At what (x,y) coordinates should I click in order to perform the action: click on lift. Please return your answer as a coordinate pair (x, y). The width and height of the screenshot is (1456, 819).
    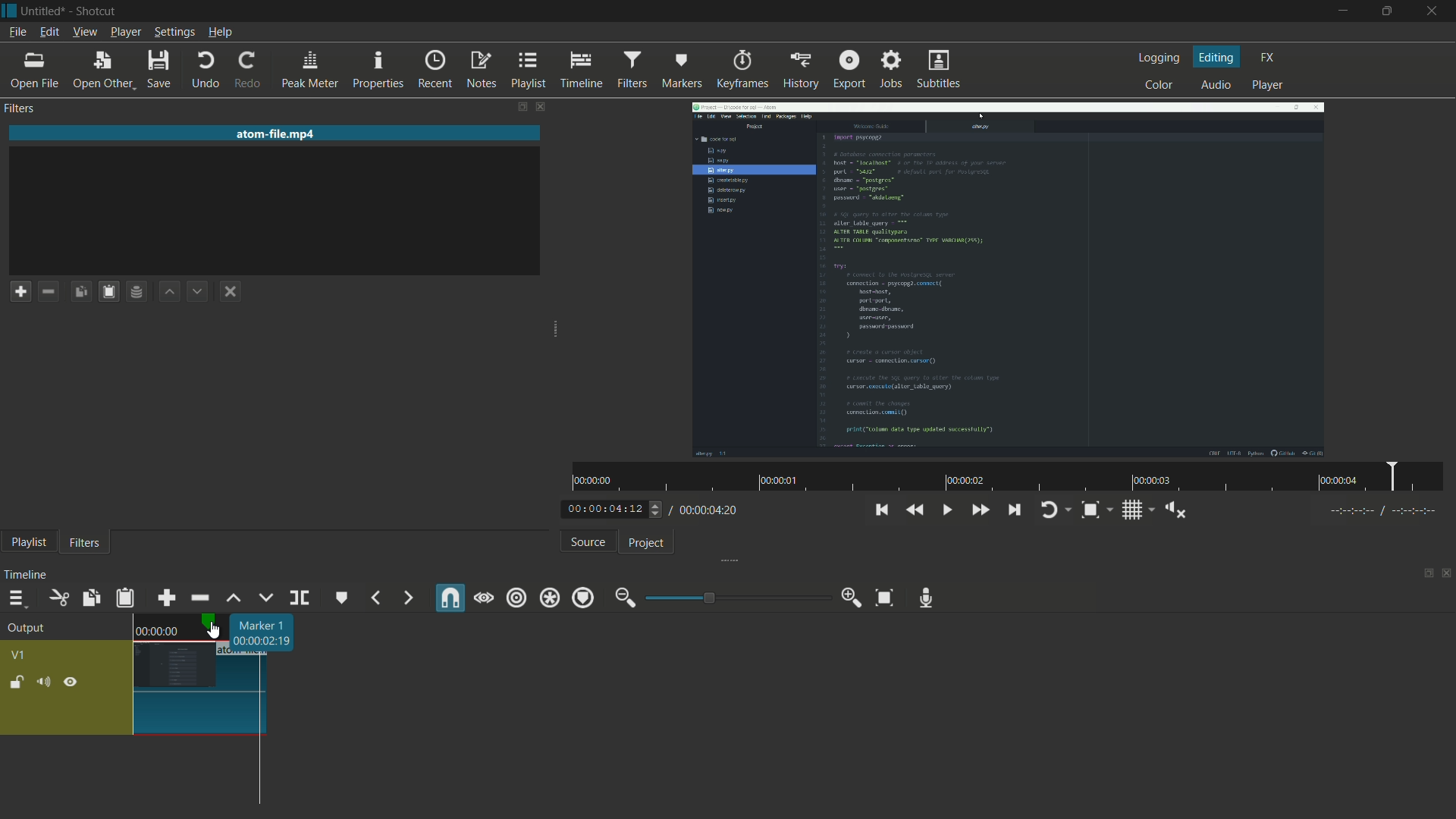
    Looking at the image, I should click on (234, 599).